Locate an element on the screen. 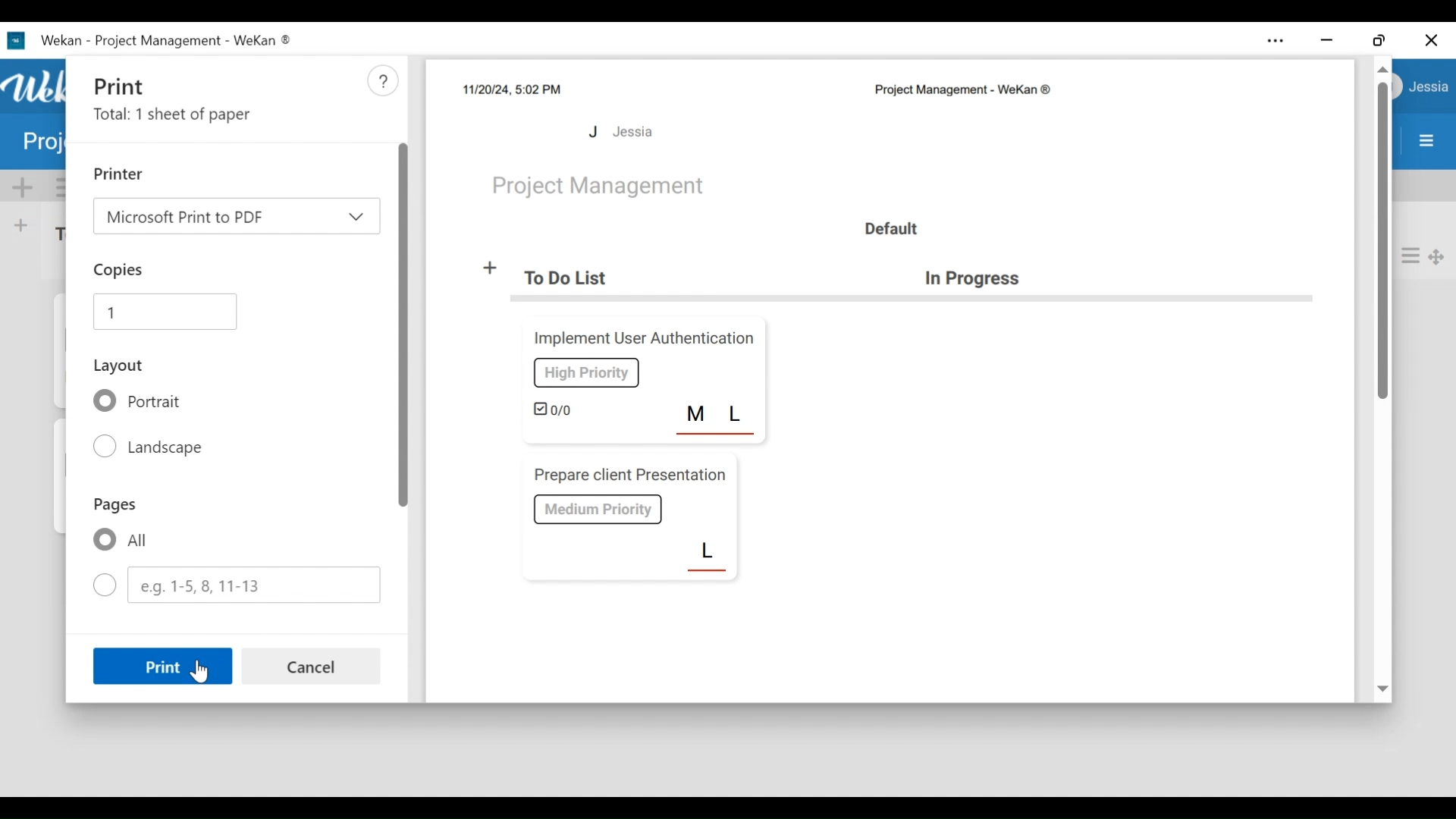  Printer is located at coordinates (119, 173).